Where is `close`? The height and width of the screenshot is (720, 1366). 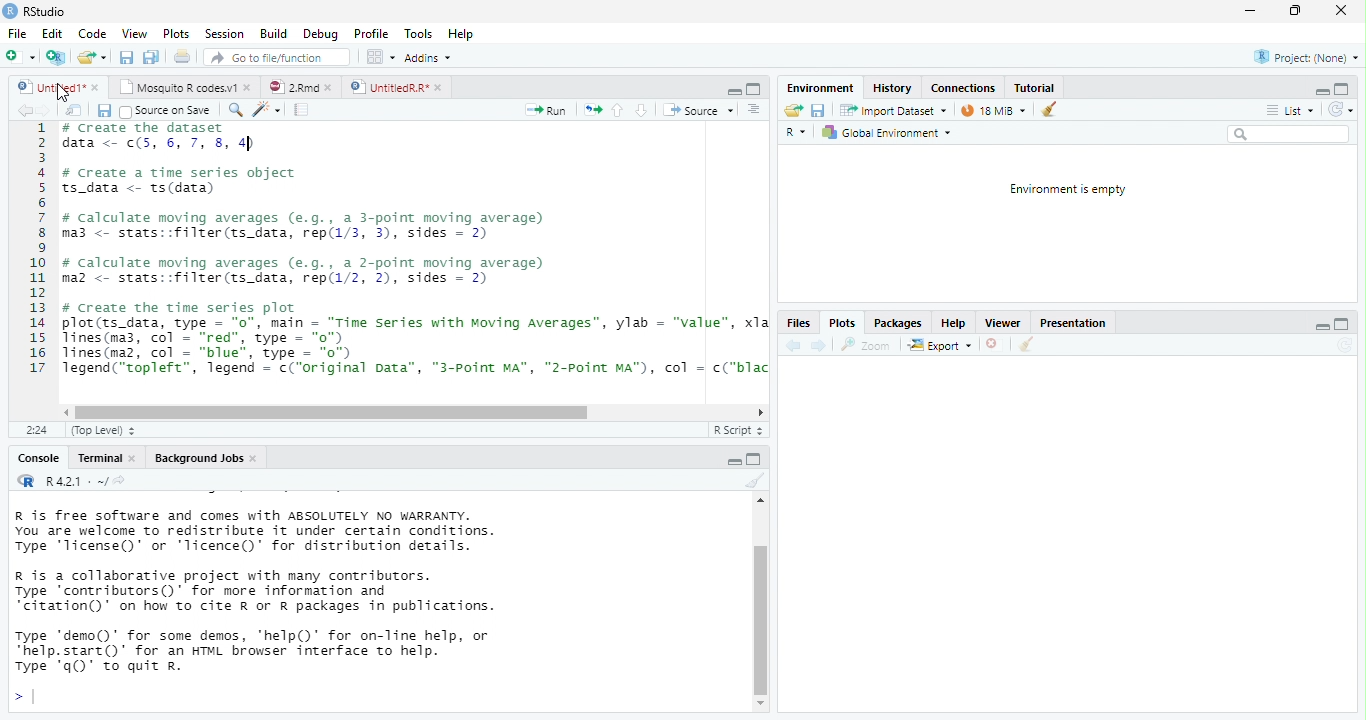
close is located at coordinates (256, 459).